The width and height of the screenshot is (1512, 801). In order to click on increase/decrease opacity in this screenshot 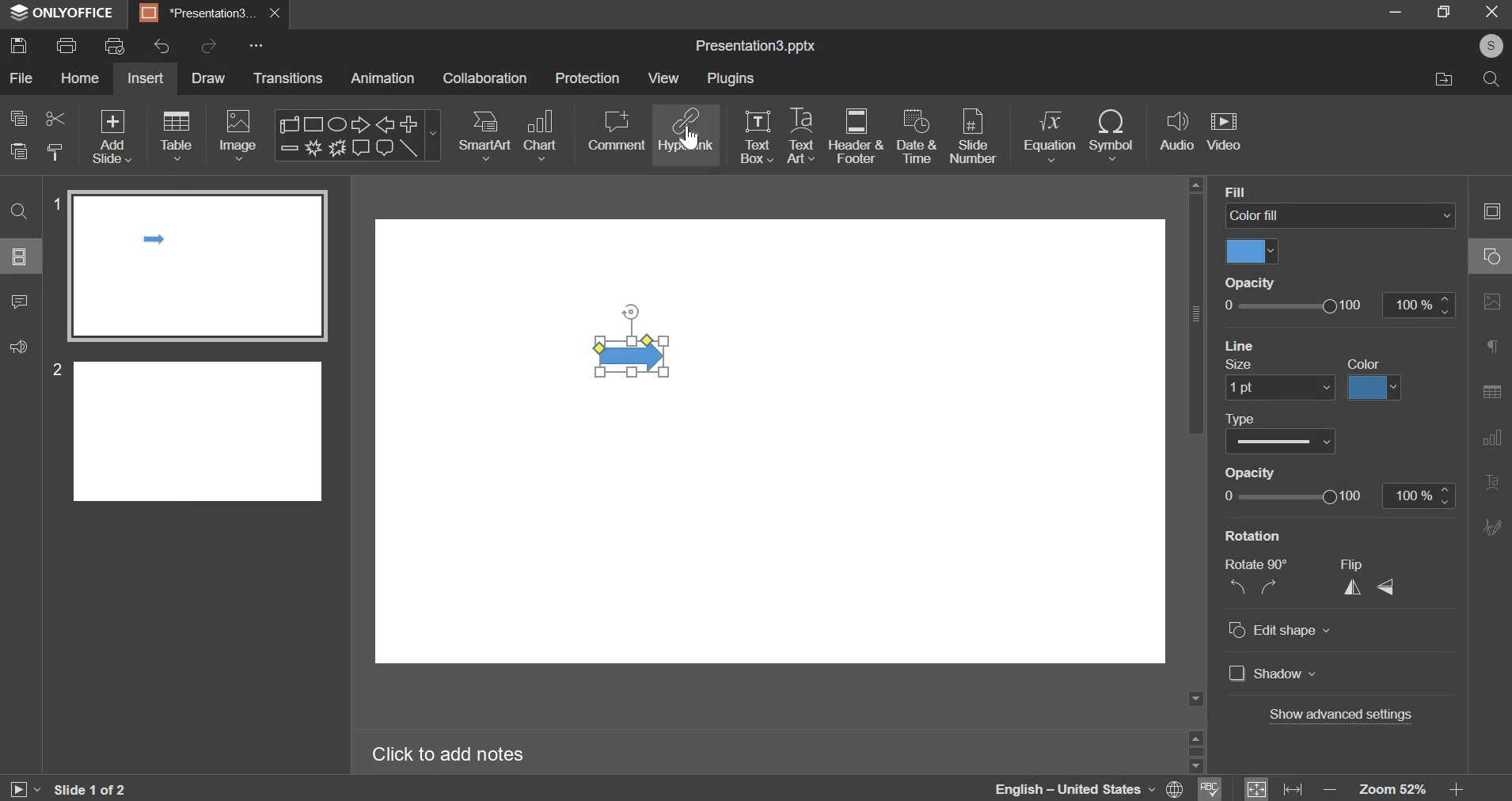, I will do `click(1418, 305)`.